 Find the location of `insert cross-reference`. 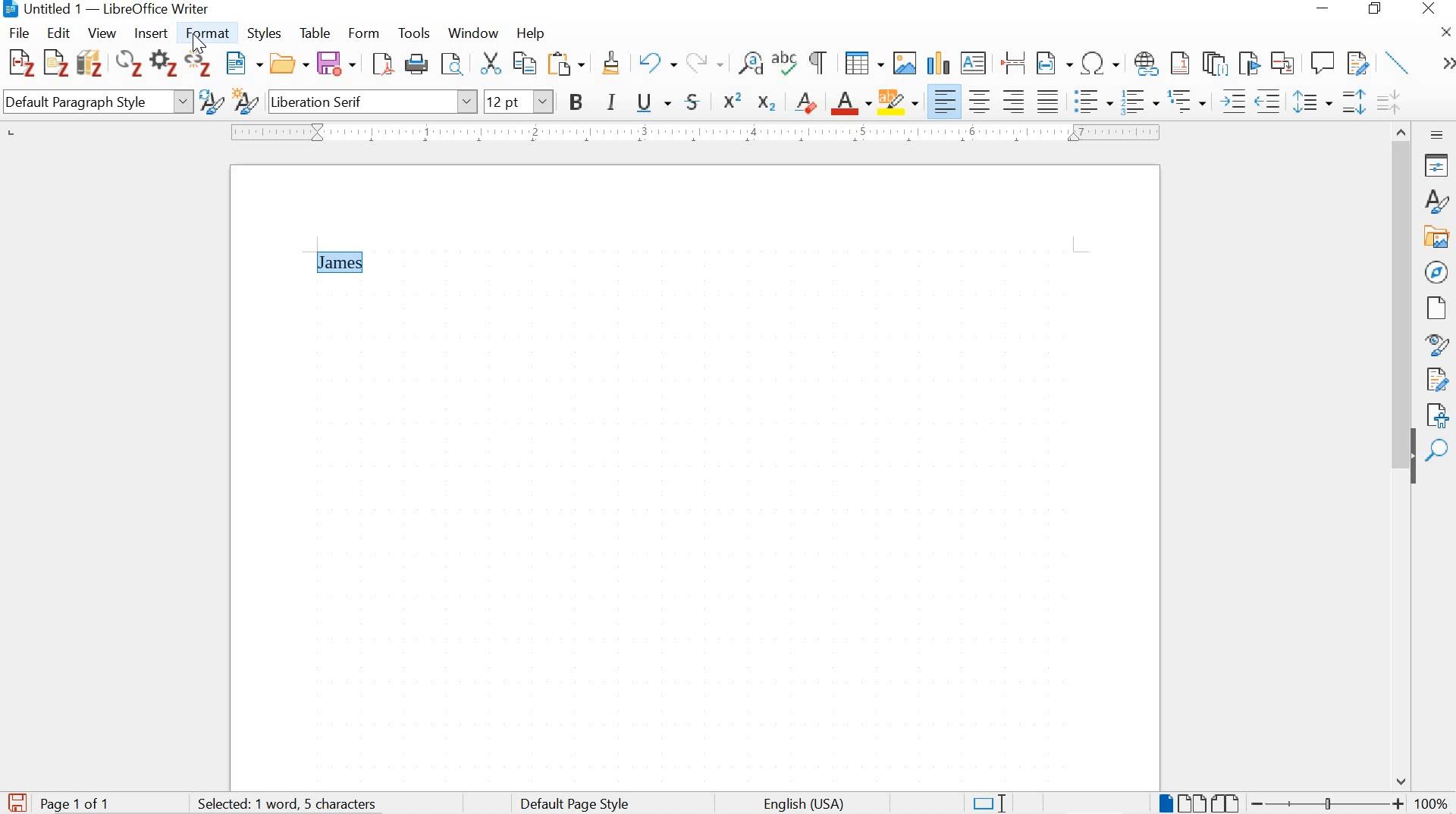

insert cross-reference is located at coordinates (1284, 62).